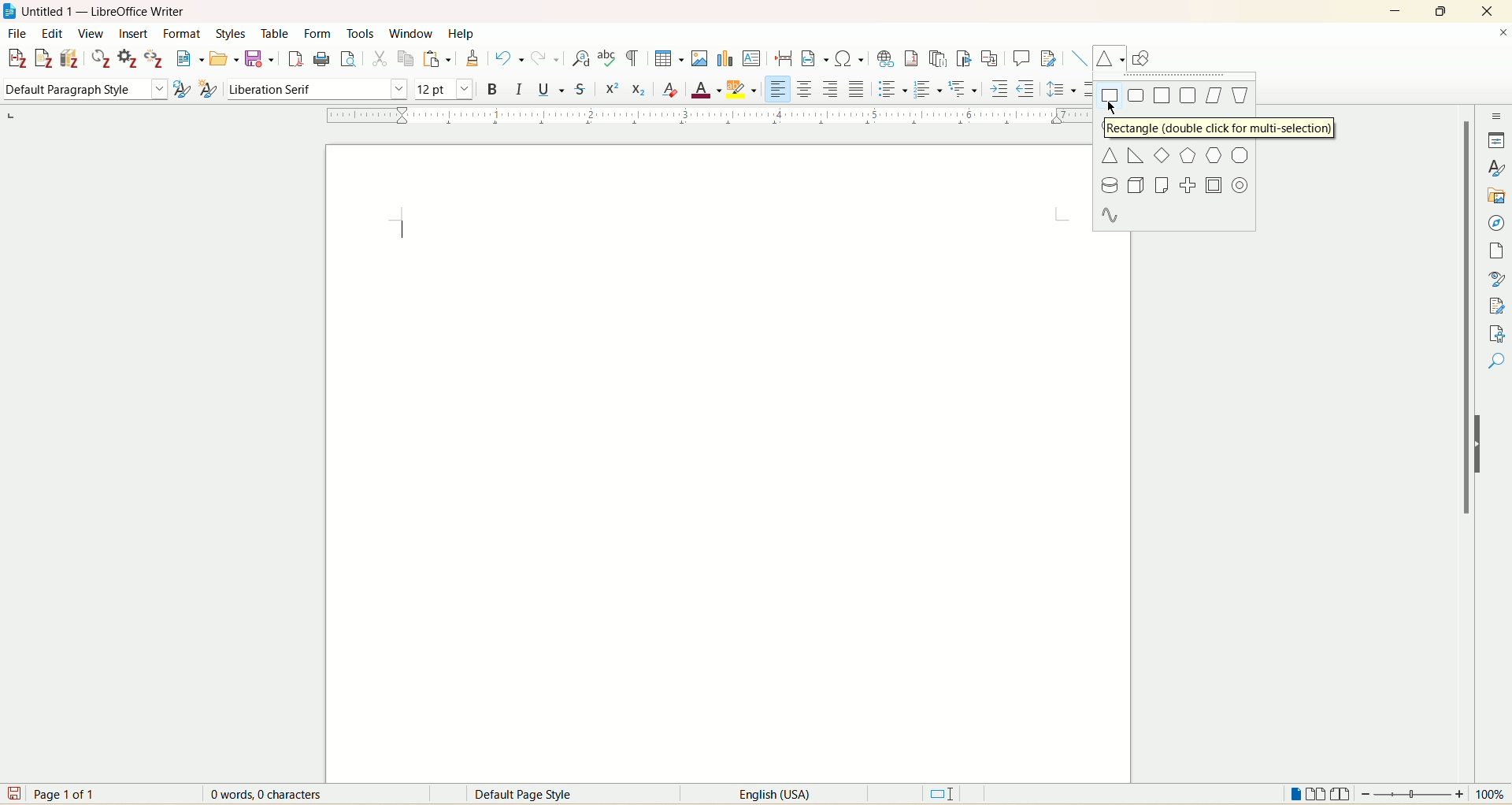 This screenshot has height=805, width=1512. I want to click on insert, so click(134, 34).